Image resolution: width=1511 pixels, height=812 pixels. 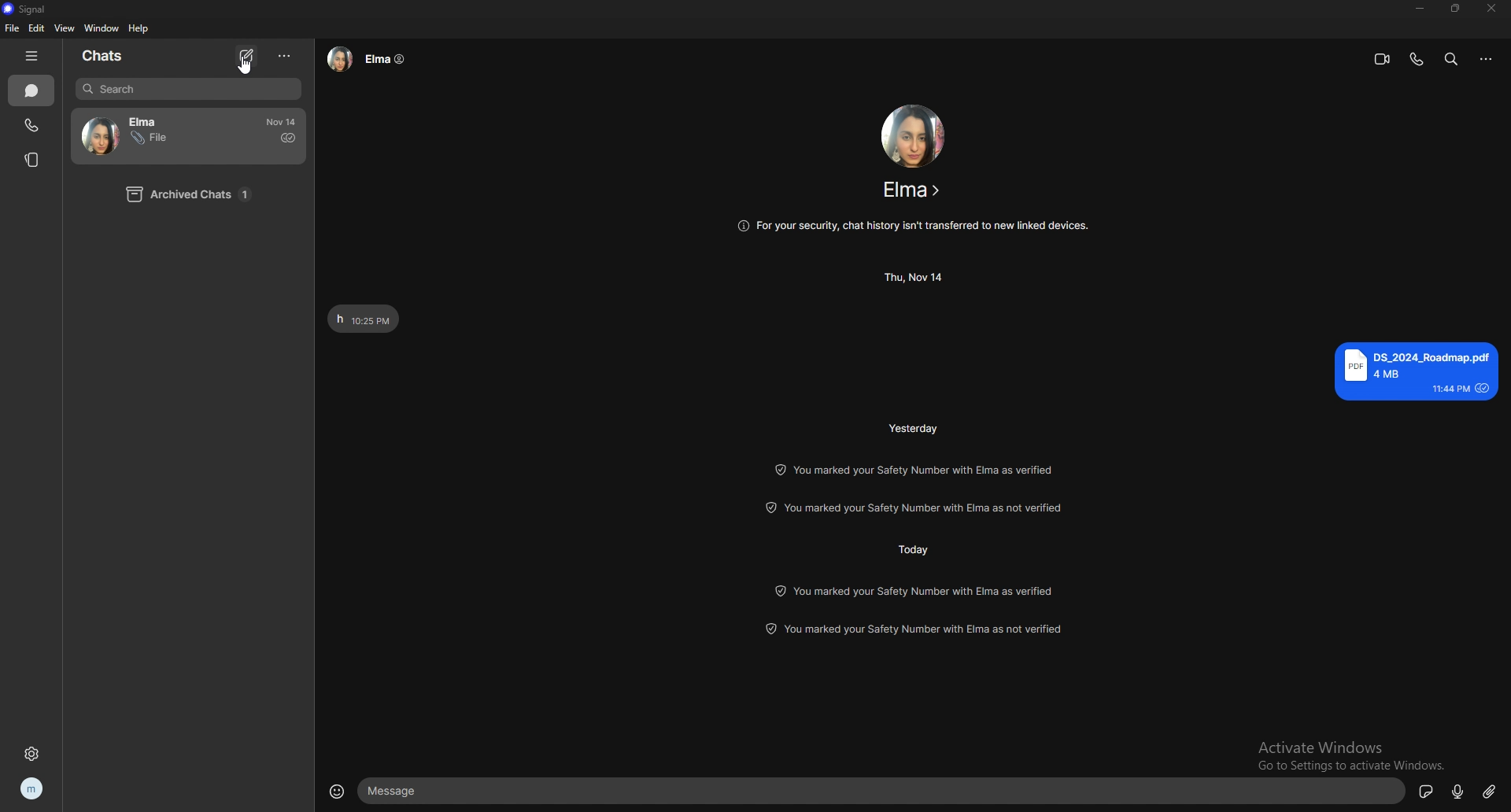 I want to click on close, so click(x=1493, y=8).